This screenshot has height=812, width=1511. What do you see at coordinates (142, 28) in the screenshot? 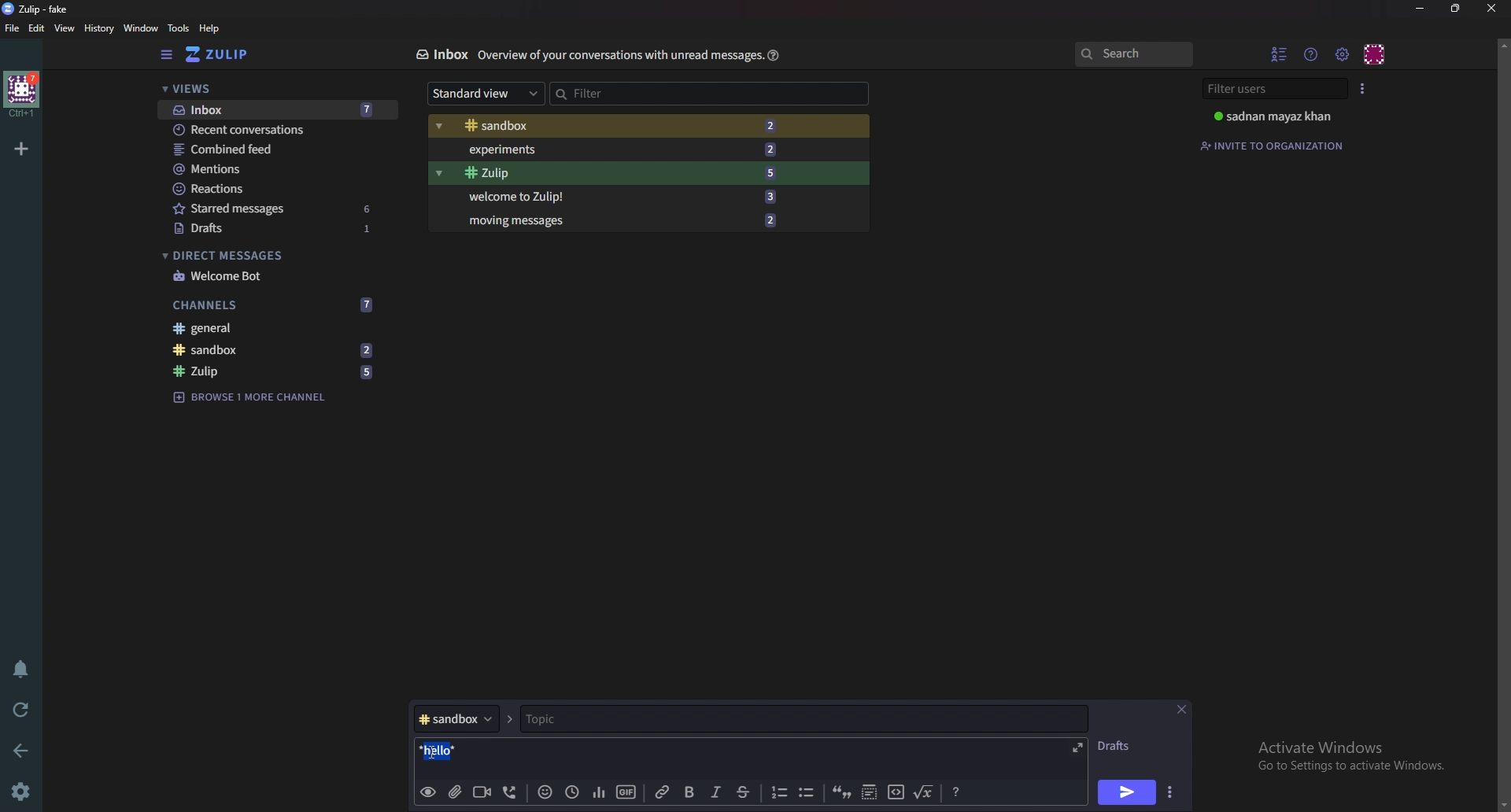
I see `Window` at bounding box center [142, 28].